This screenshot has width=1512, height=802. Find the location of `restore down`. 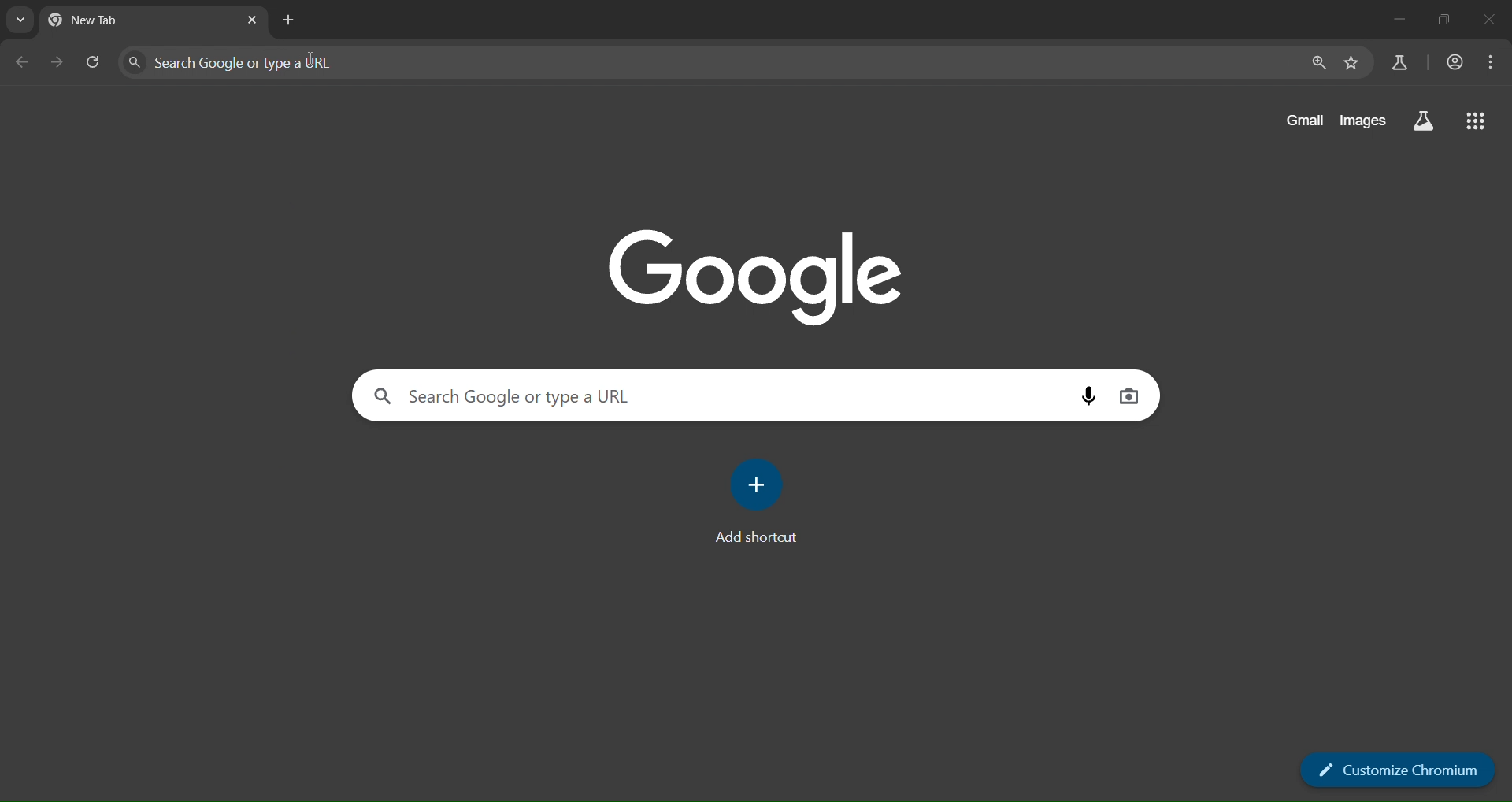

restore down is located at coordinates (1440, 20).